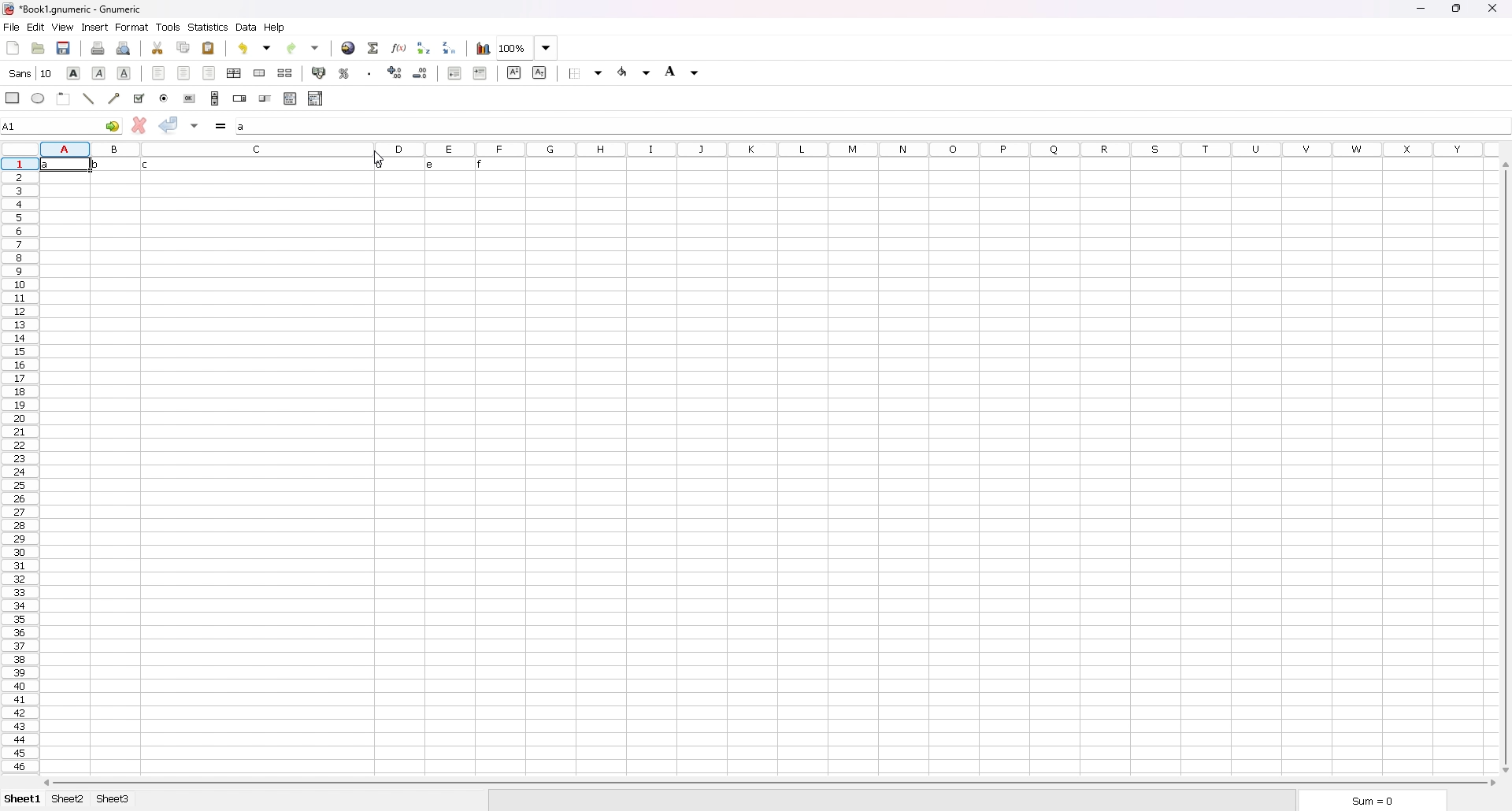 This screenshot has height=811, width=1512. Describe the element at coordinates (450, 47) in the screenshot. I see `sort descending` at that location.